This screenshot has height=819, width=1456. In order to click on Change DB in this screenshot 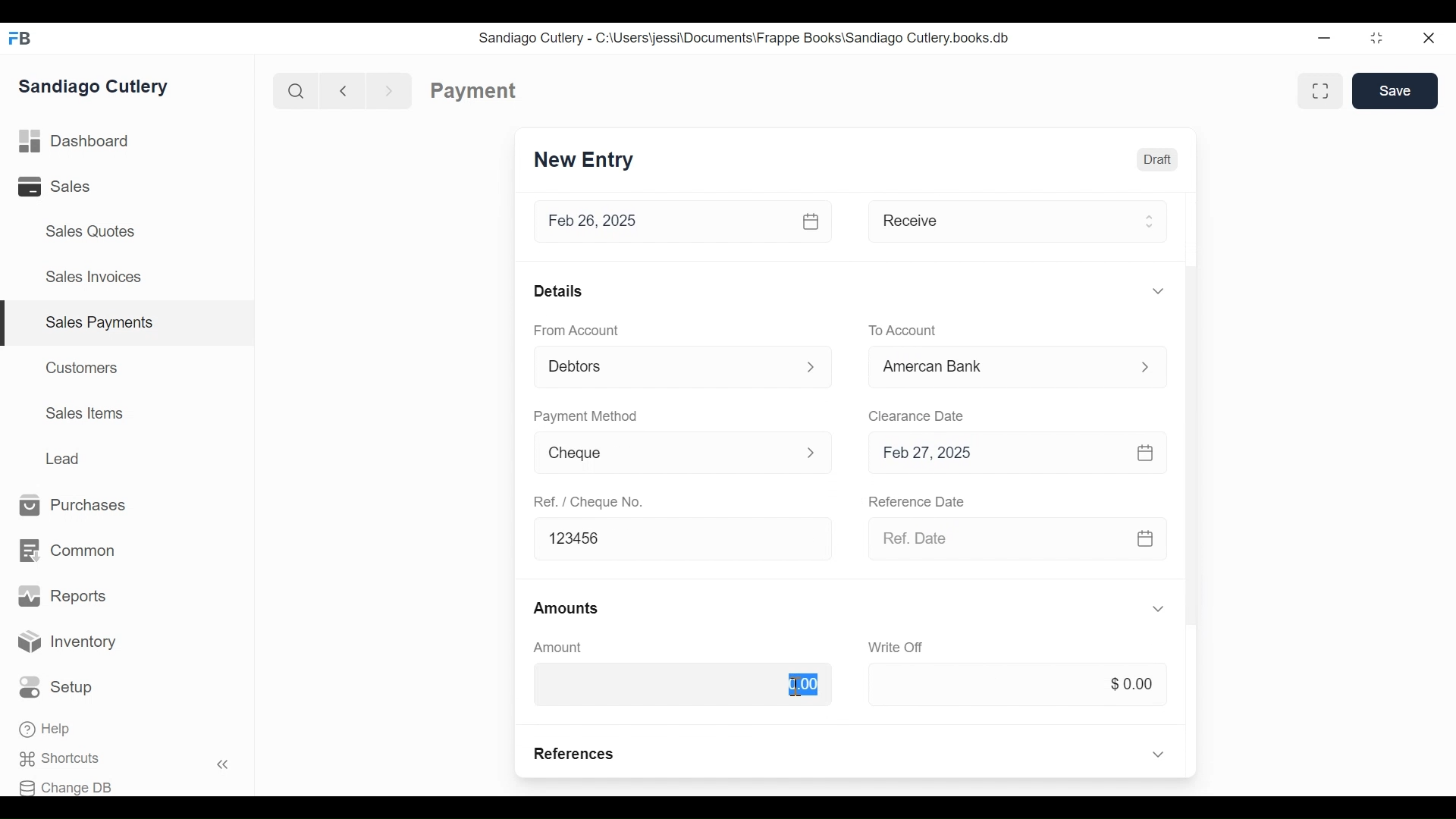, I will do `click(71, 786)`.